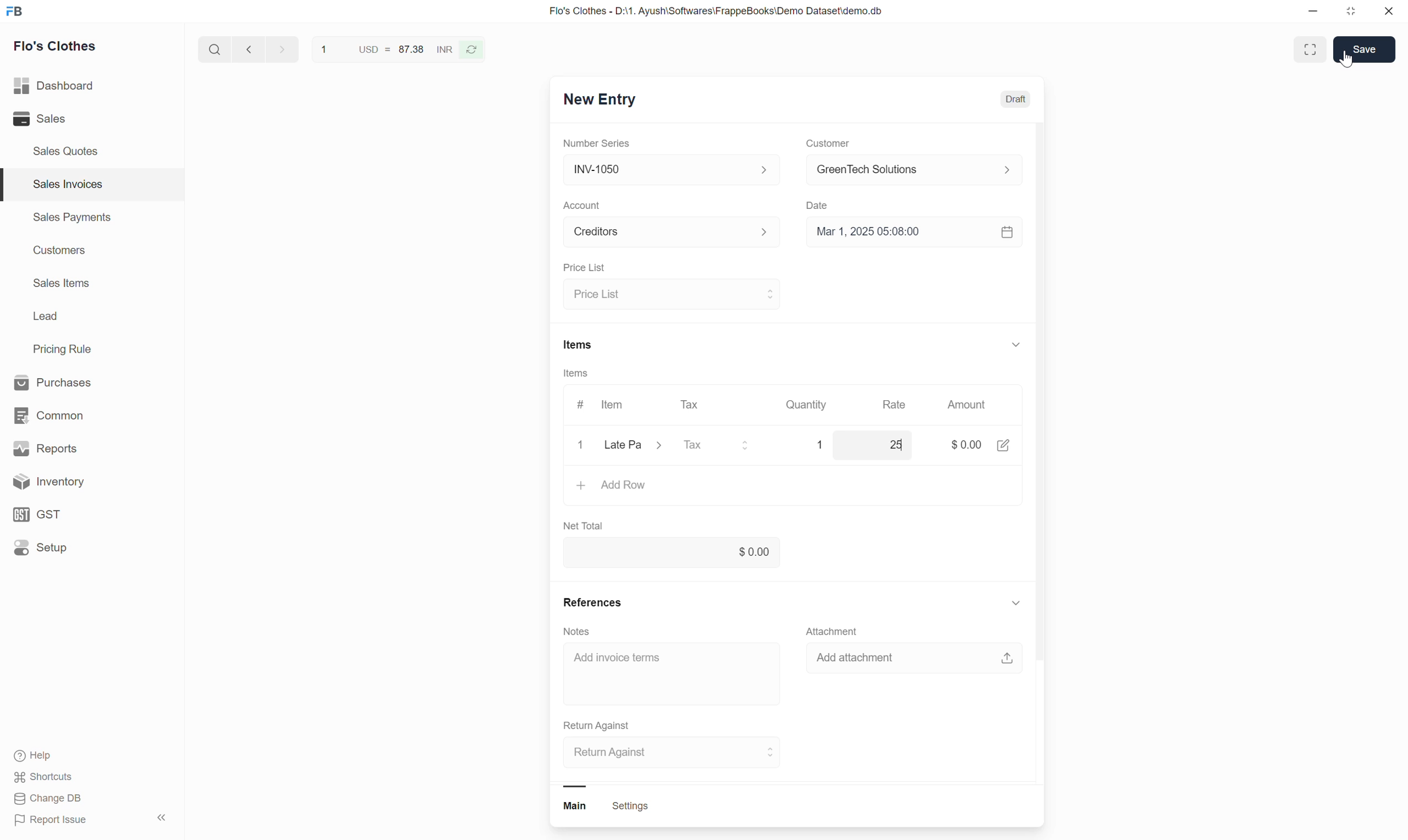  I want to click on Quantity, so click(810, 406).